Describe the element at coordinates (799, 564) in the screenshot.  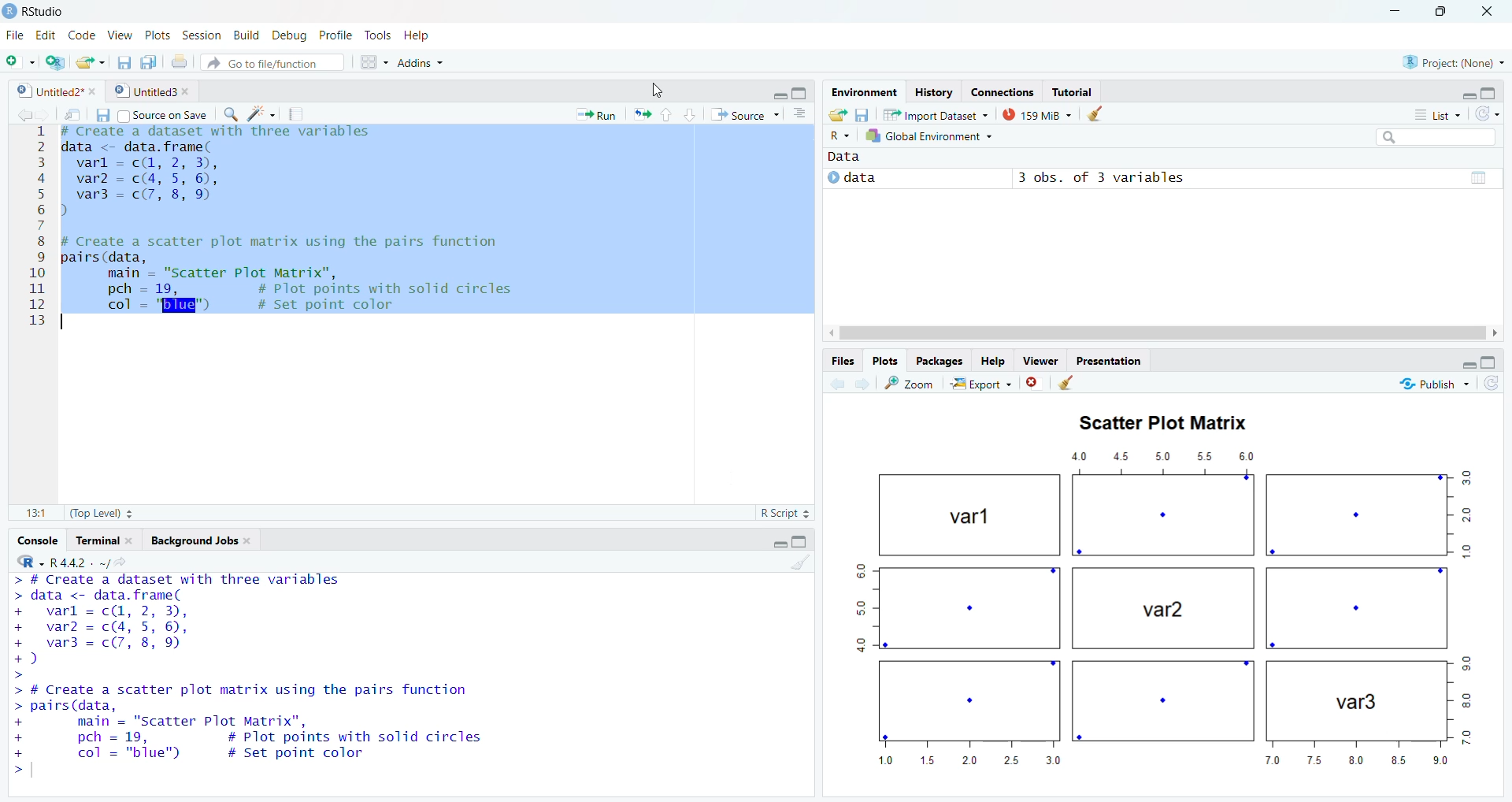
I see `clear console` at that location.